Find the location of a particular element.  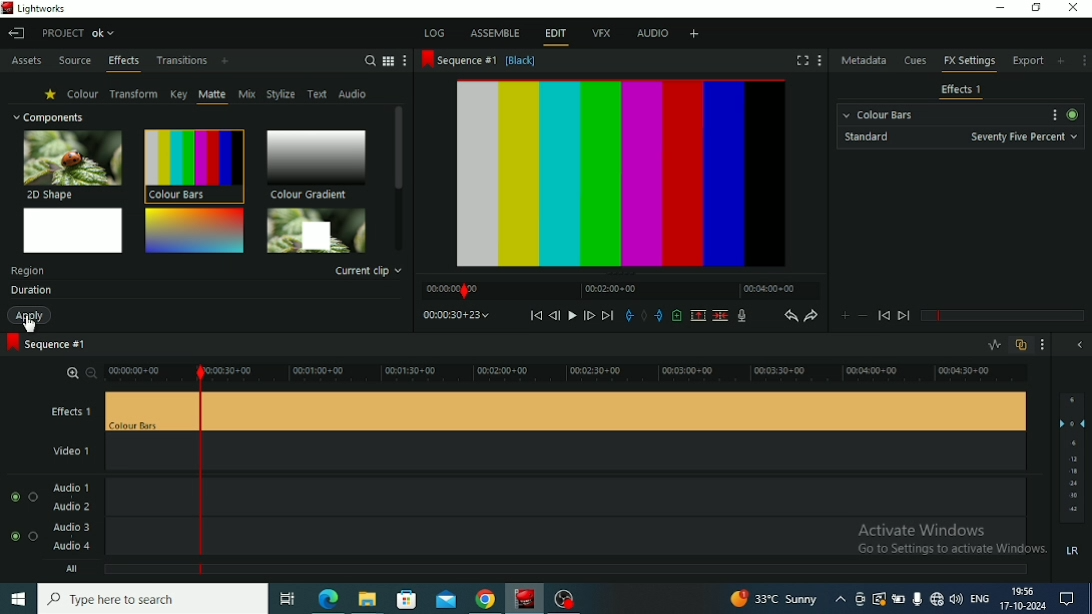

Add is located at coordinates (225, 62).